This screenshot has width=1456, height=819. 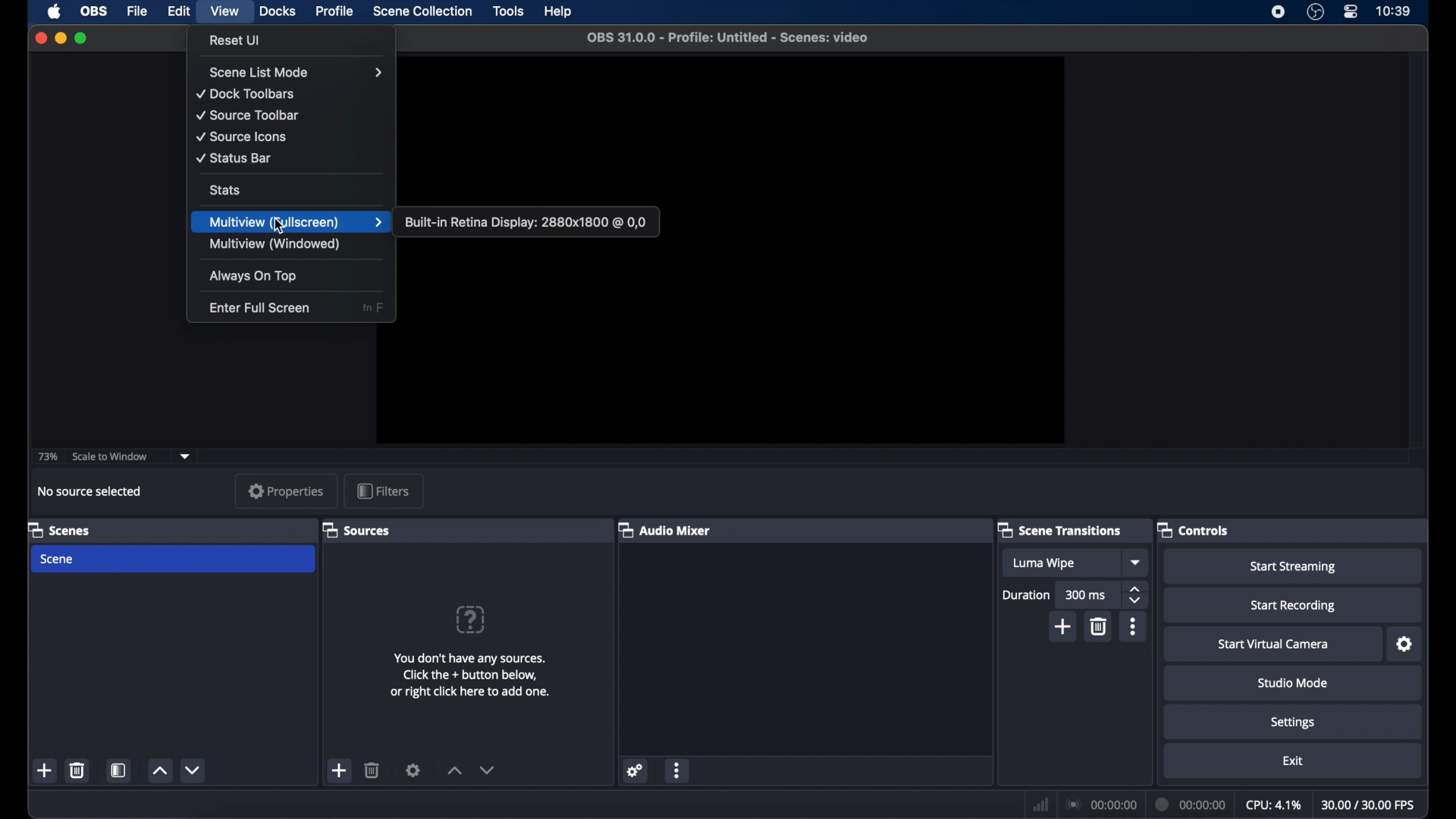 What do you see at coordinates (731, 37) in the screenshot?
I see `OBS 31.0.0 - Profile: Untitled - Scenes: video` at bounding box center [731, 37].